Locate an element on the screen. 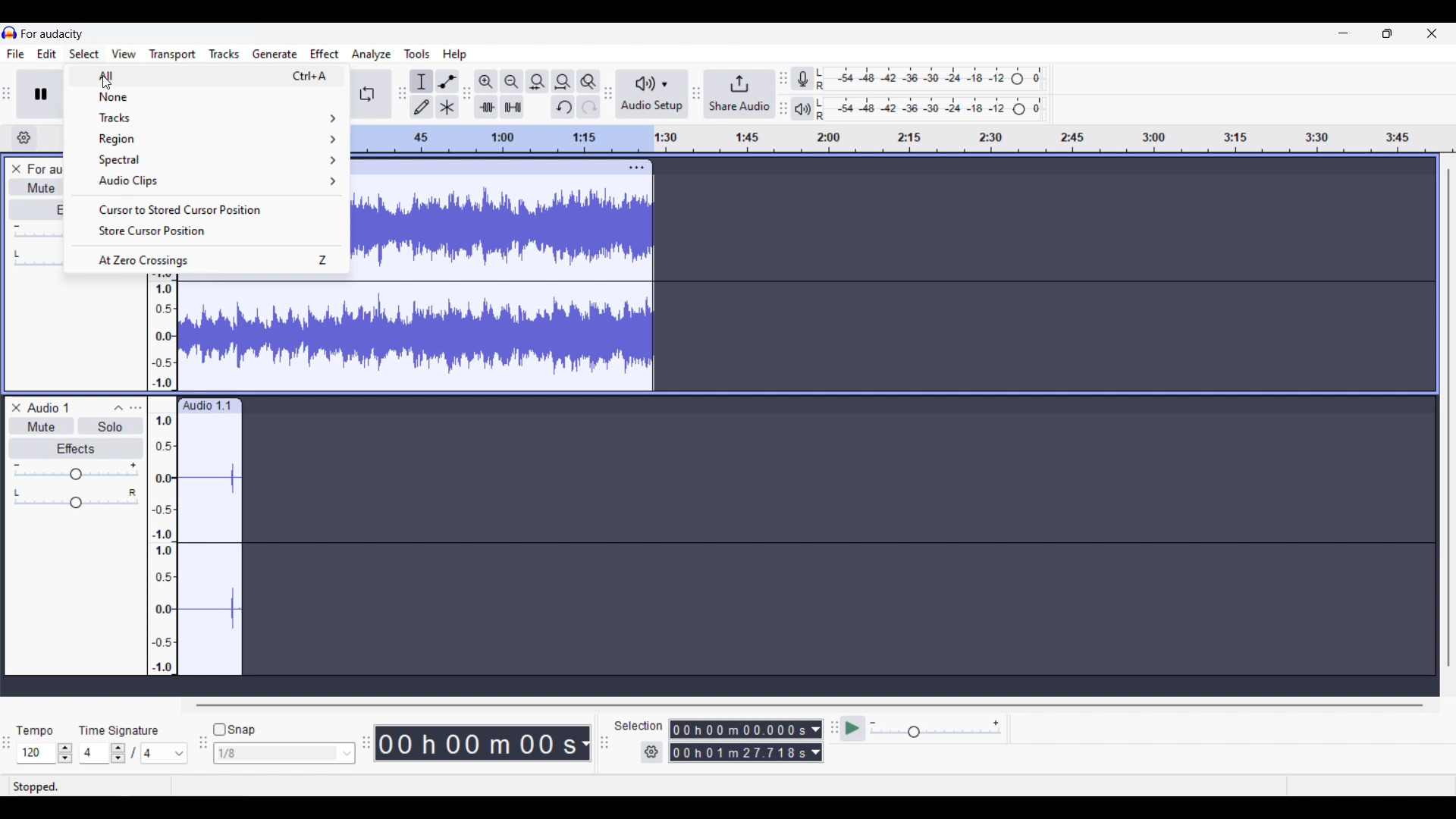  Time signature settings is located at coordinates (135, 752).